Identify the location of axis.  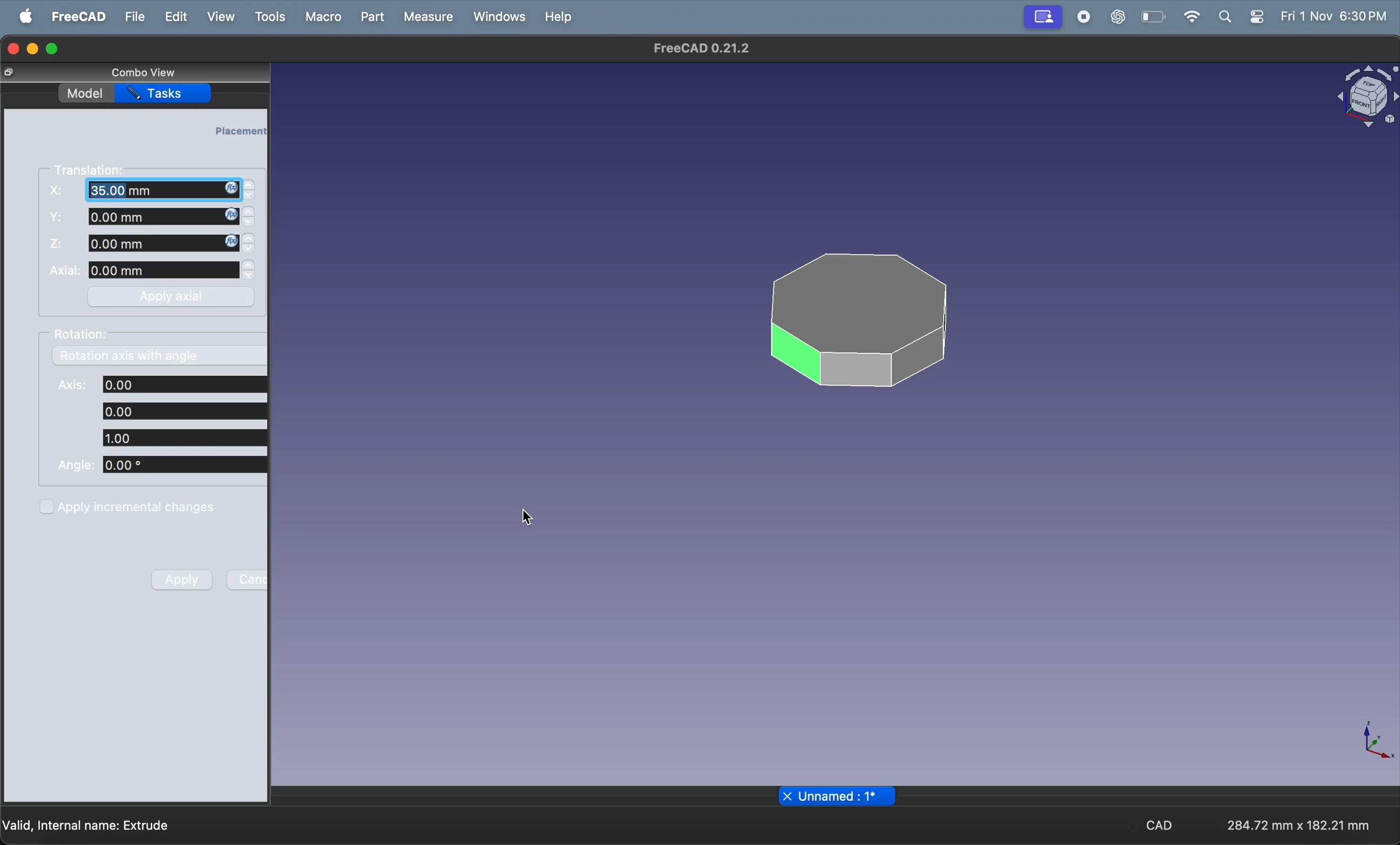
(1380, 743).